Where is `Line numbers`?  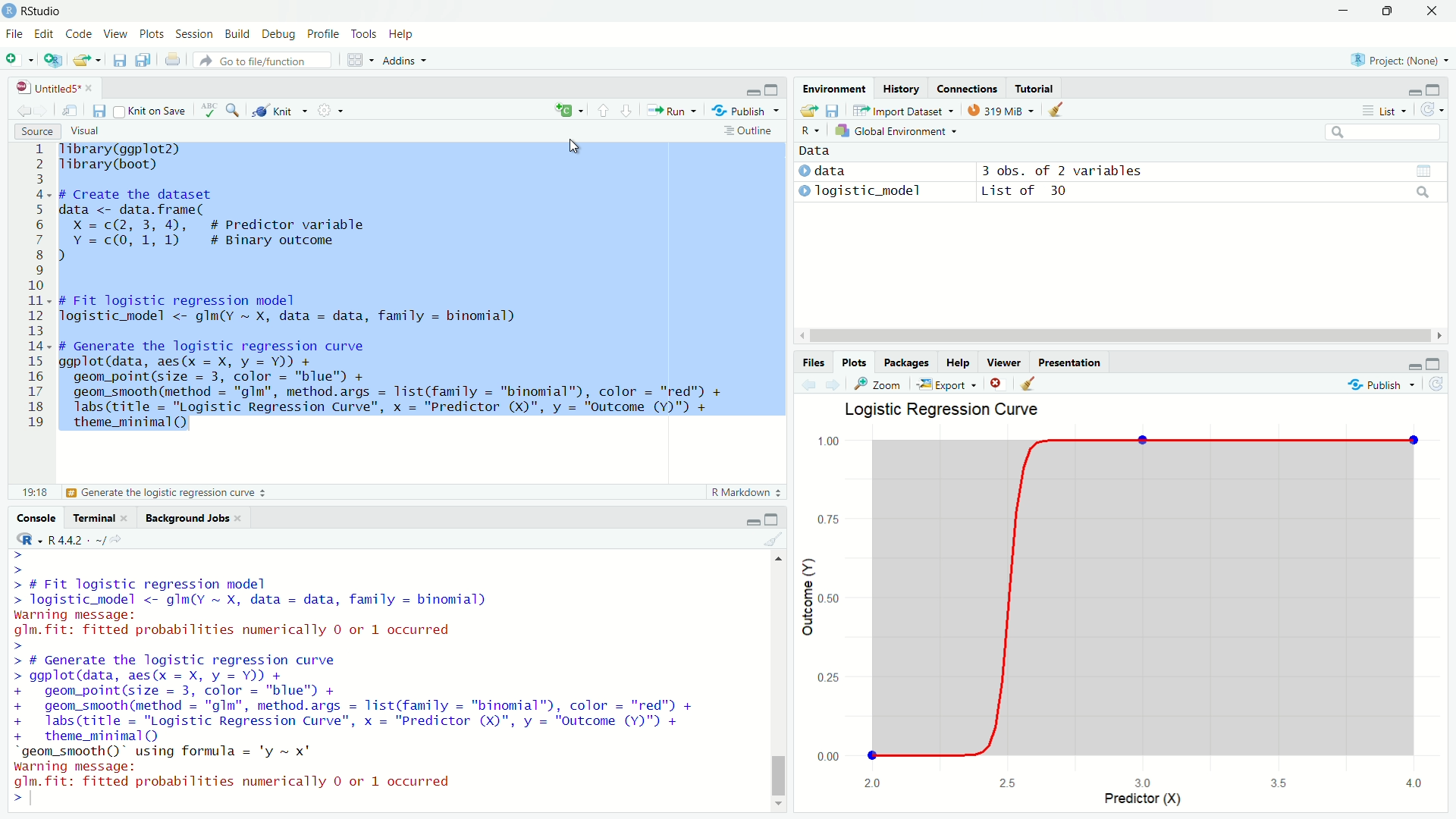 Line numbers is located at coordinates (32, 290).